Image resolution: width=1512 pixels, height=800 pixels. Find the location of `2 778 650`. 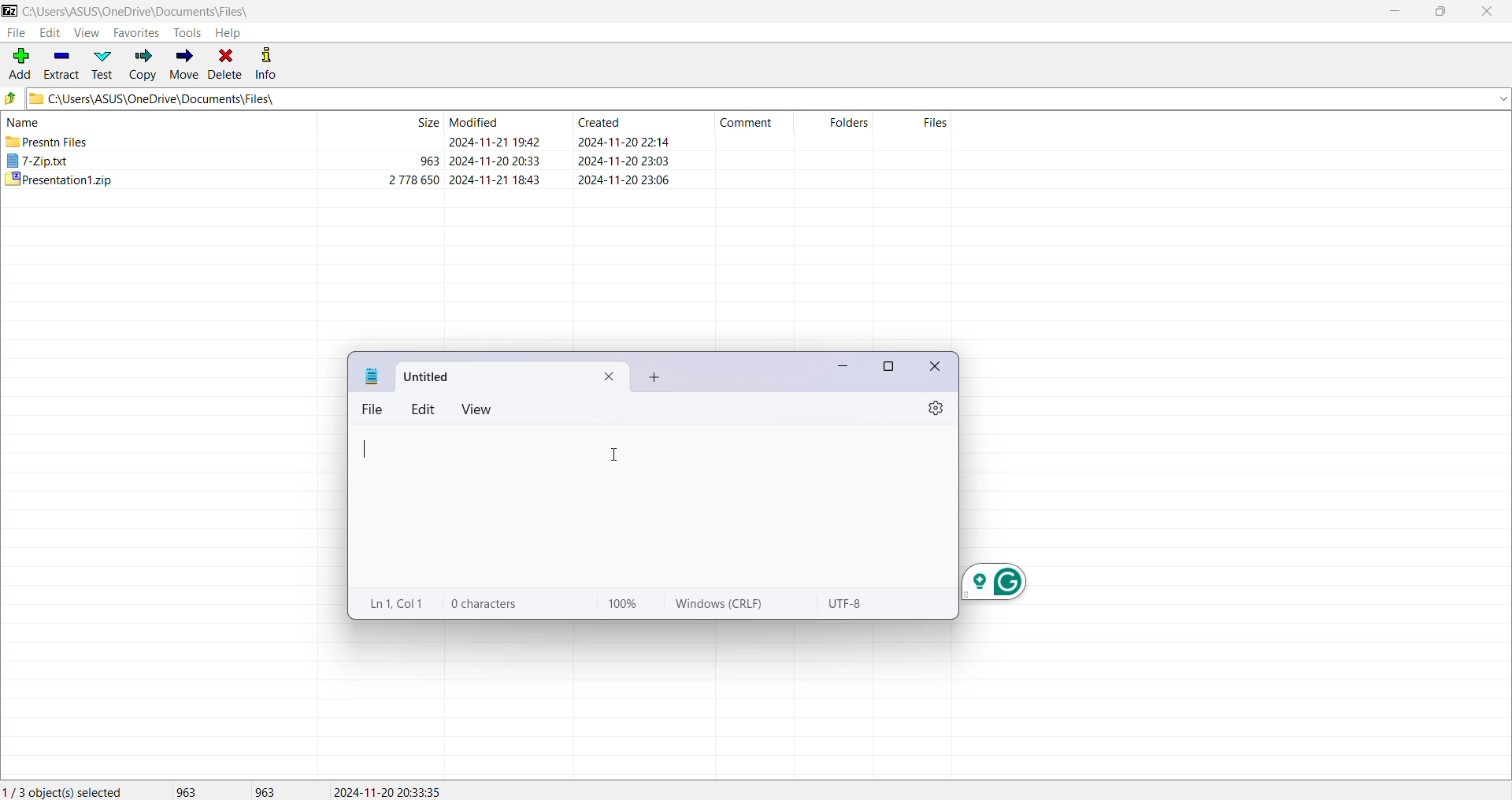

2 778 650 is located at coordinates (414, 179).